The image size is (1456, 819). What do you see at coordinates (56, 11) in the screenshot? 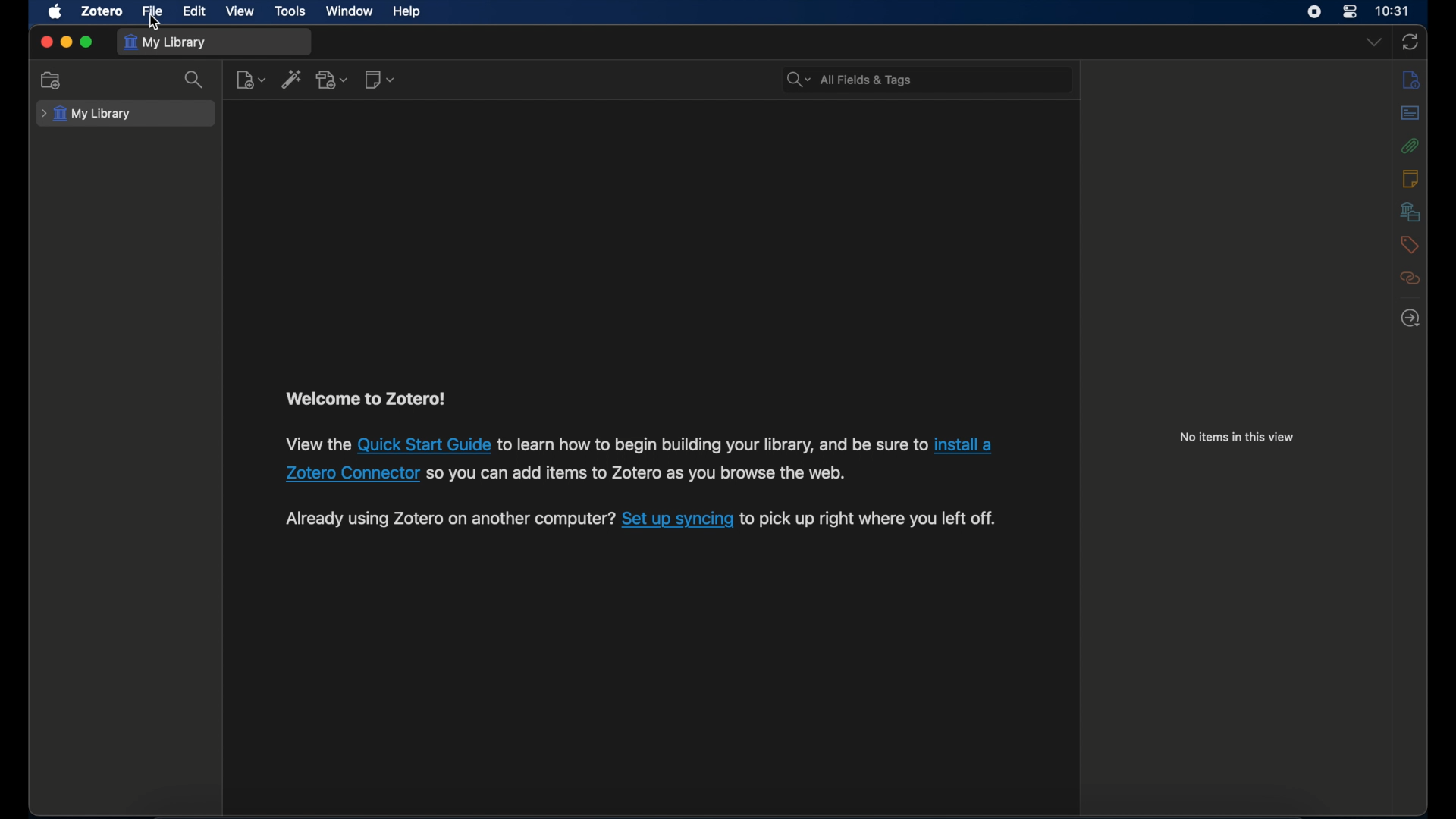
I see `apple` at bounding box center [56, 11].